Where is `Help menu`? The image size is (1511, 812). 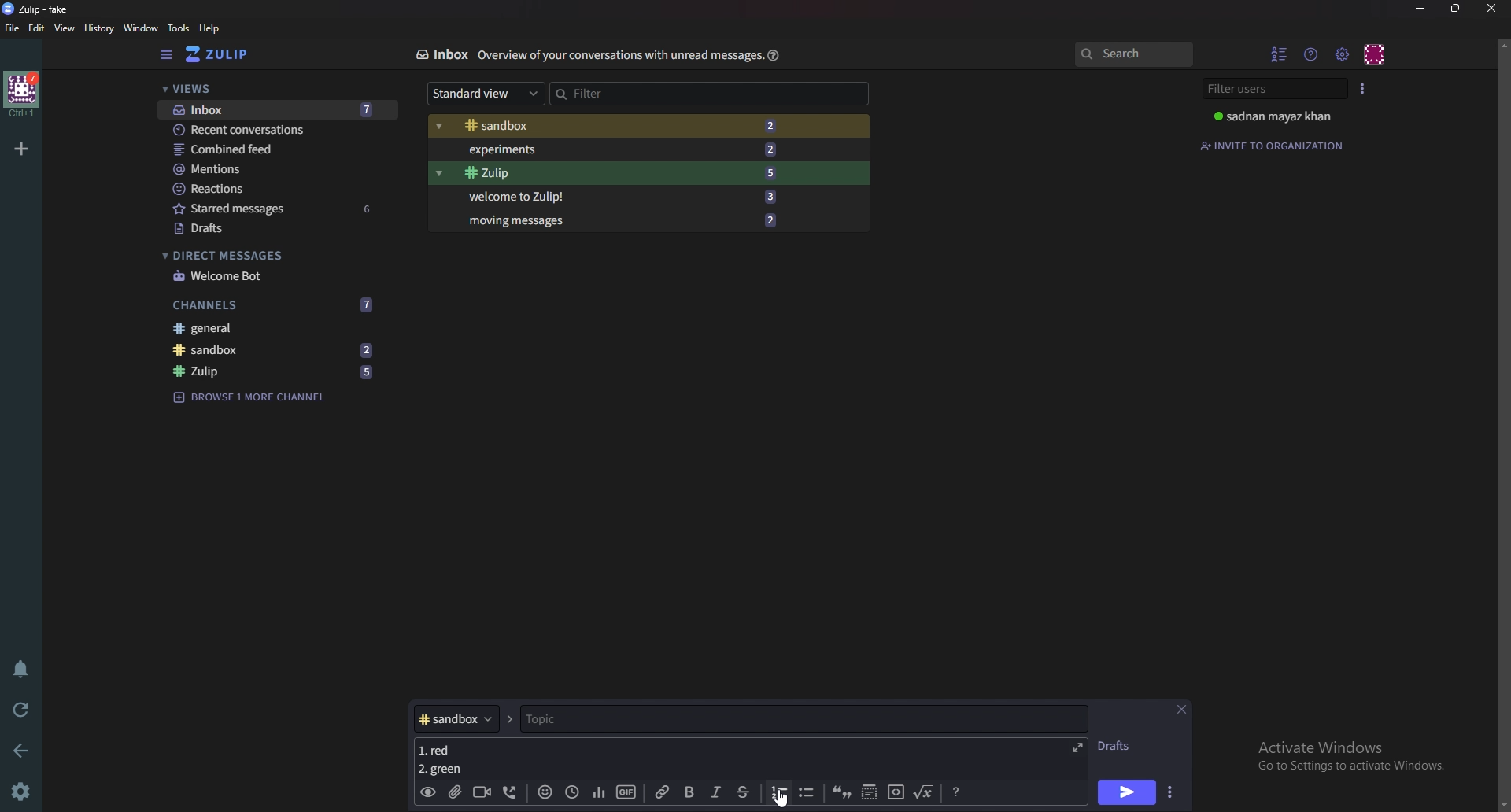 Help menu is located at coordinates (1313, 54).